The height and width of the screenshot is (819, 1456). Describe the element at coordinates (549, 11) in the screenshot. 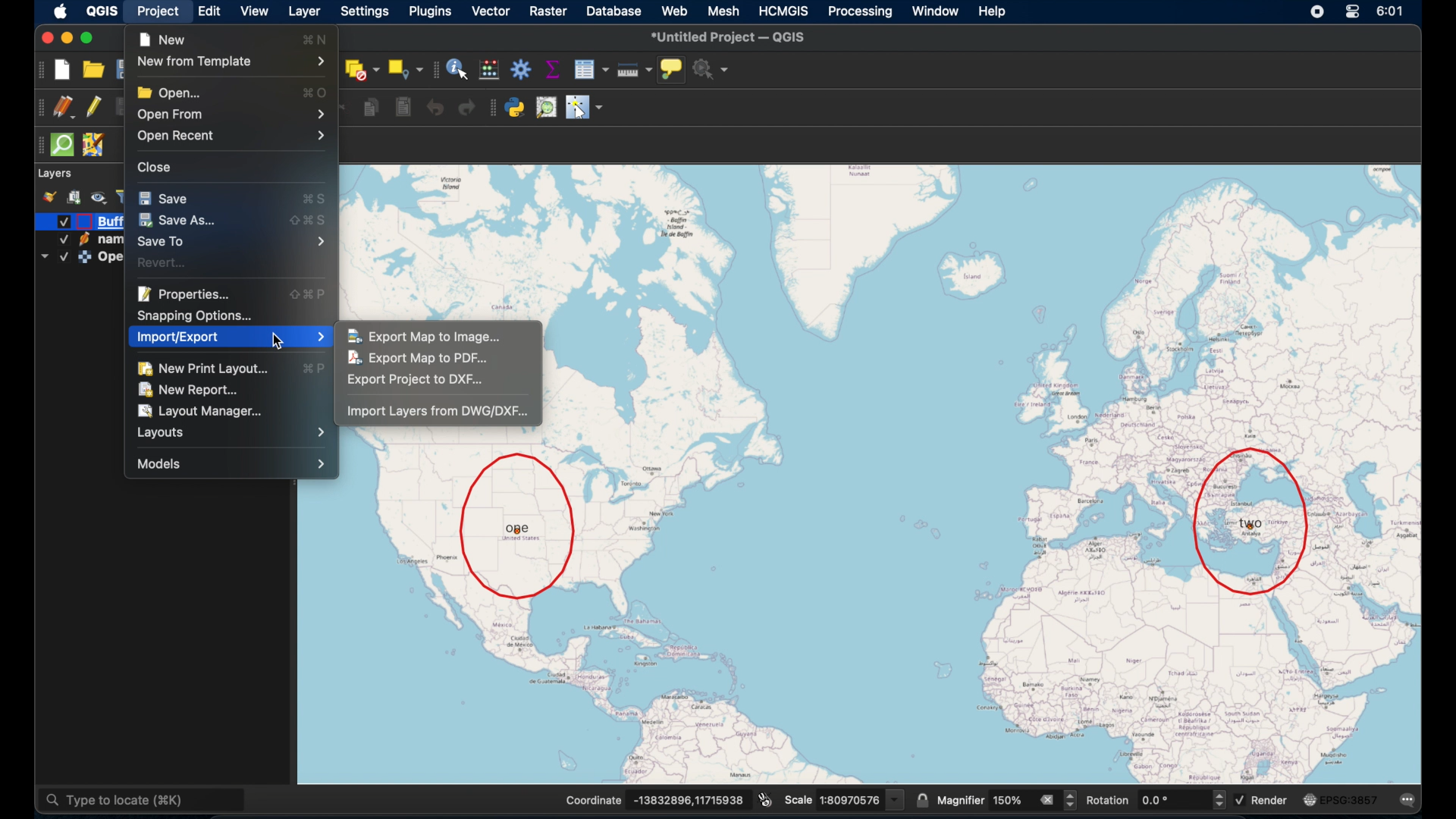

I see `raster` at that location.